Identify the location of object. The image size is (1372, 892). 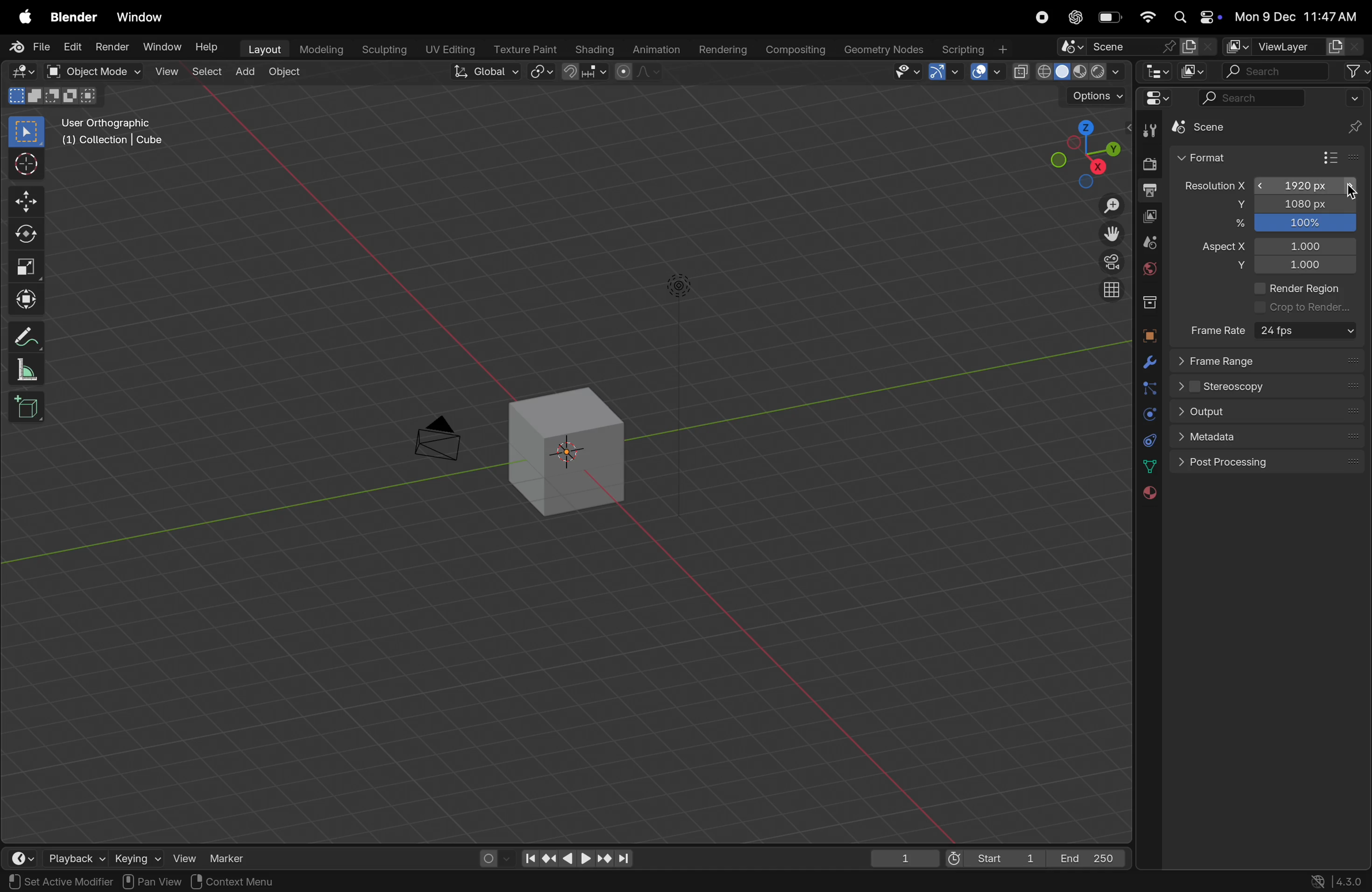
(1148, 335).